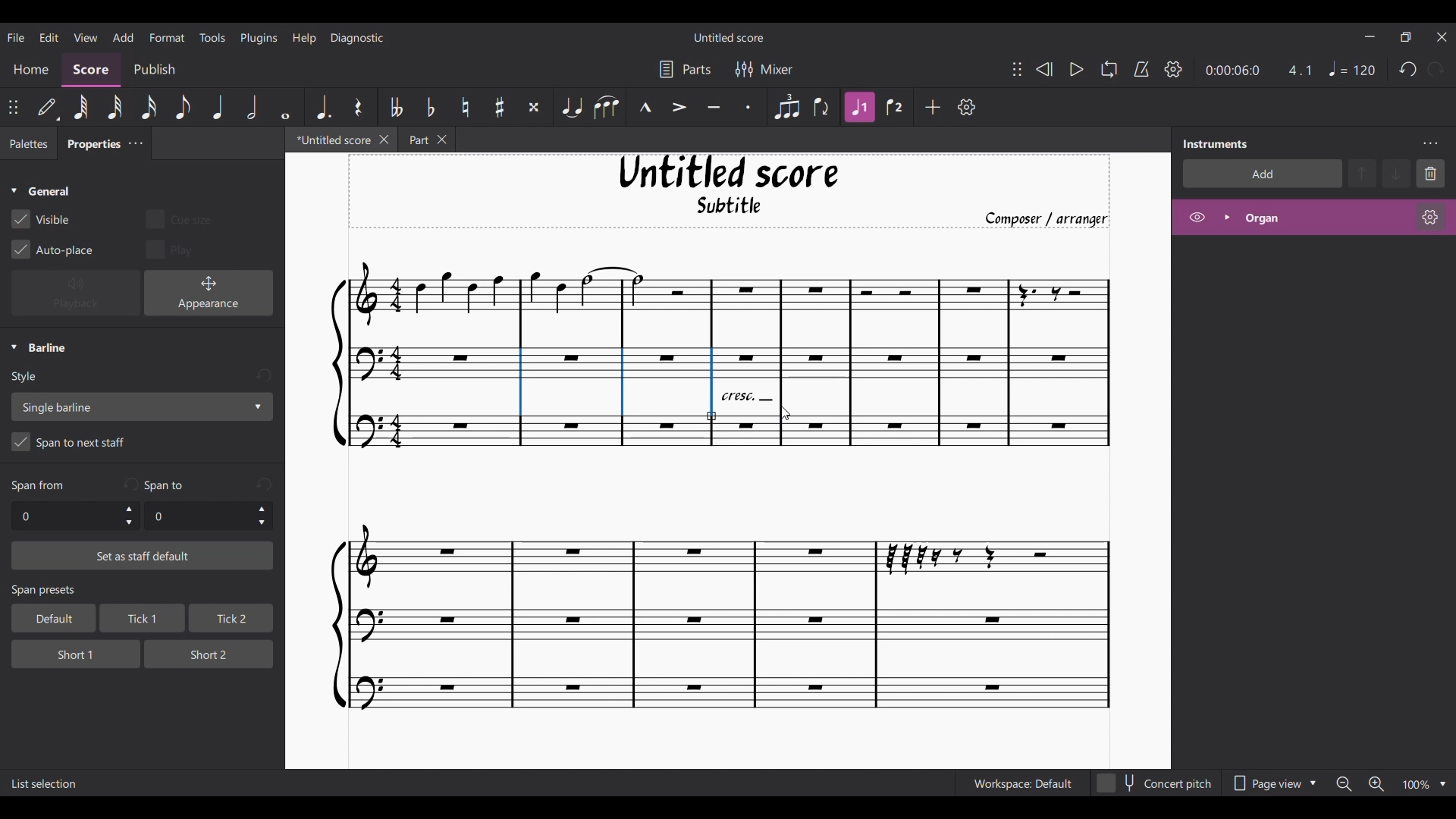  What do you see at coordinates (934, 107) in the screenshot?
I see `Add` at bounding box center [934, 107].